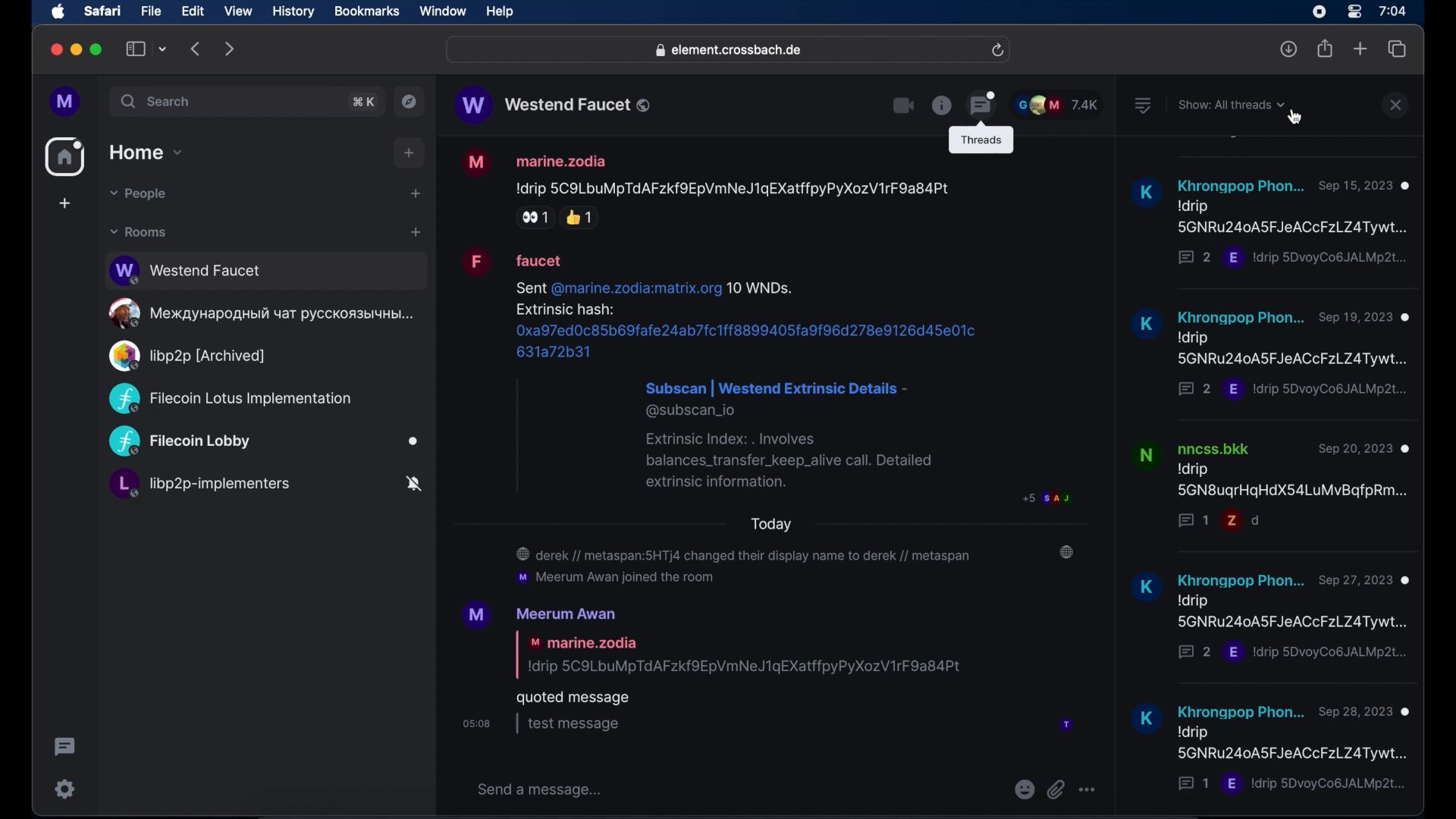  Describe the element at coordinates (74, 50) in the screenshot. I see `minimize` at that location.